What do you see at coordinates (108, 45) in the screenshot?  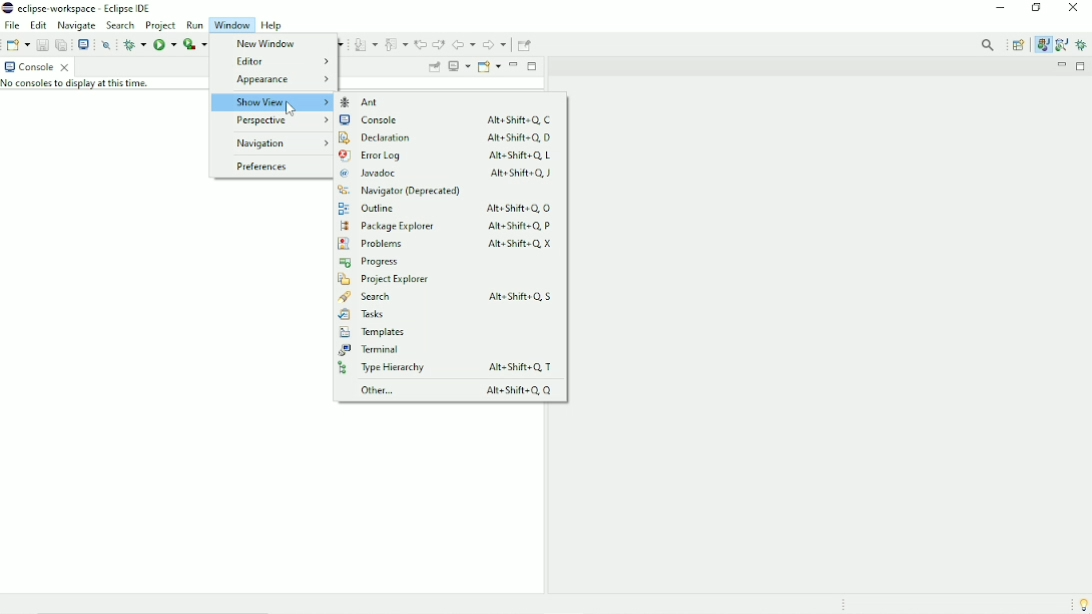 I see `Skip all breakpoints` at bounding box center [108, 45].